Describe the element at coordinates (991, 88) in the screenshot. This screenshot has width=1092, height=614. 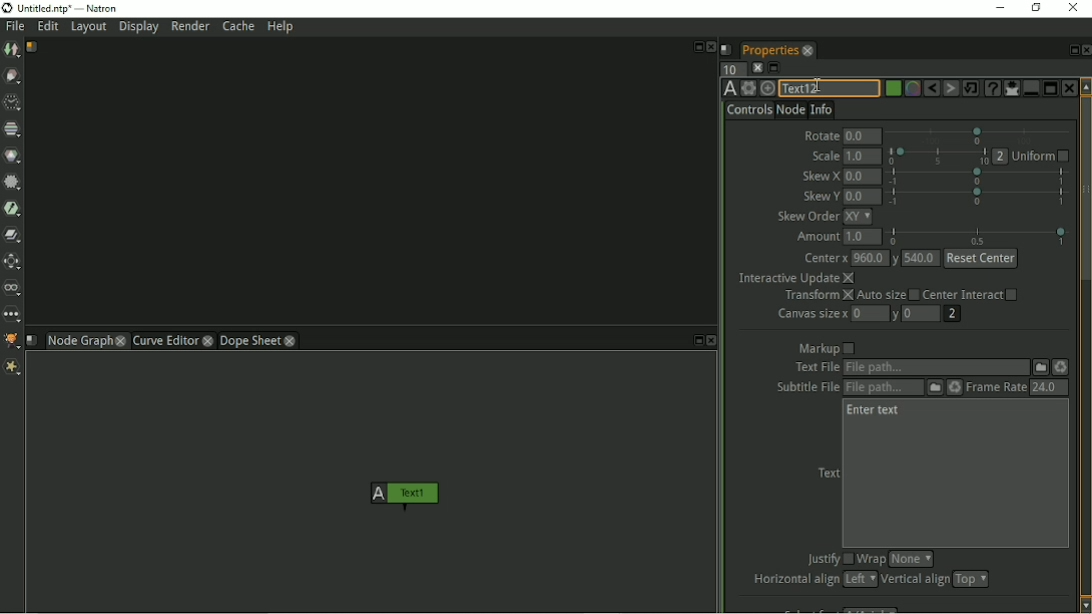
I see `Advanced text generator node` at that location.